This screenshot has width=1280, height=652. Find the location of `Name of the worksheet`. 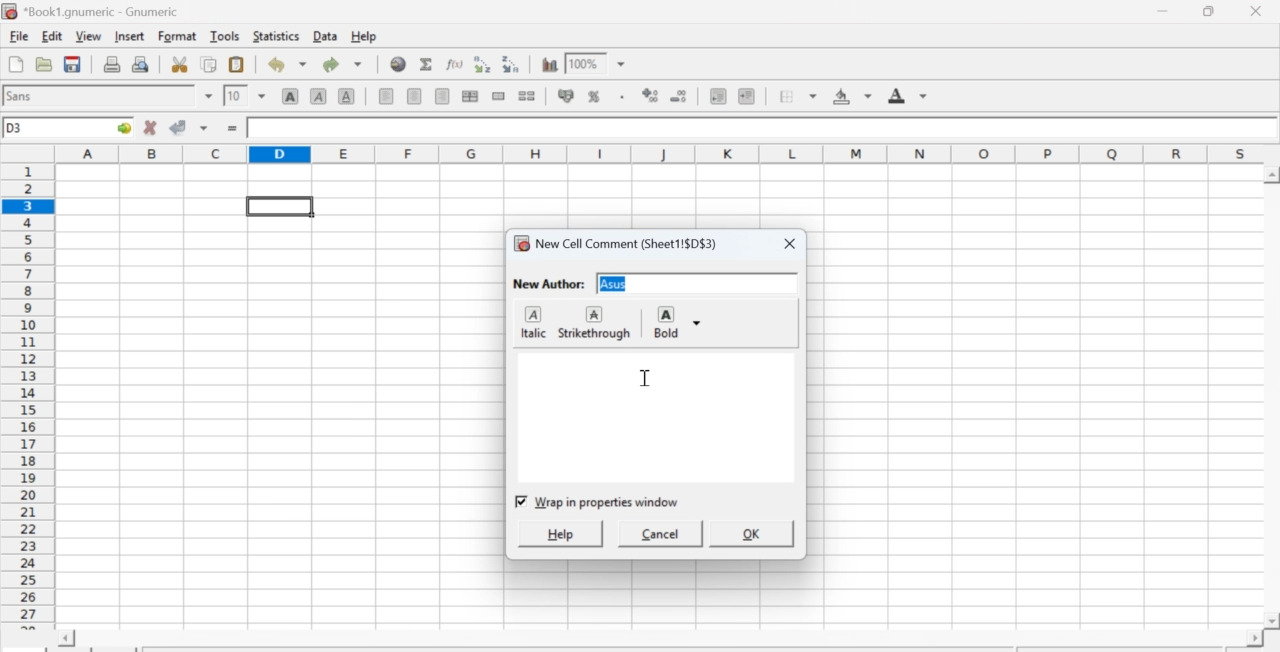

Name of the worksheet is located at coordinates (105, 11).